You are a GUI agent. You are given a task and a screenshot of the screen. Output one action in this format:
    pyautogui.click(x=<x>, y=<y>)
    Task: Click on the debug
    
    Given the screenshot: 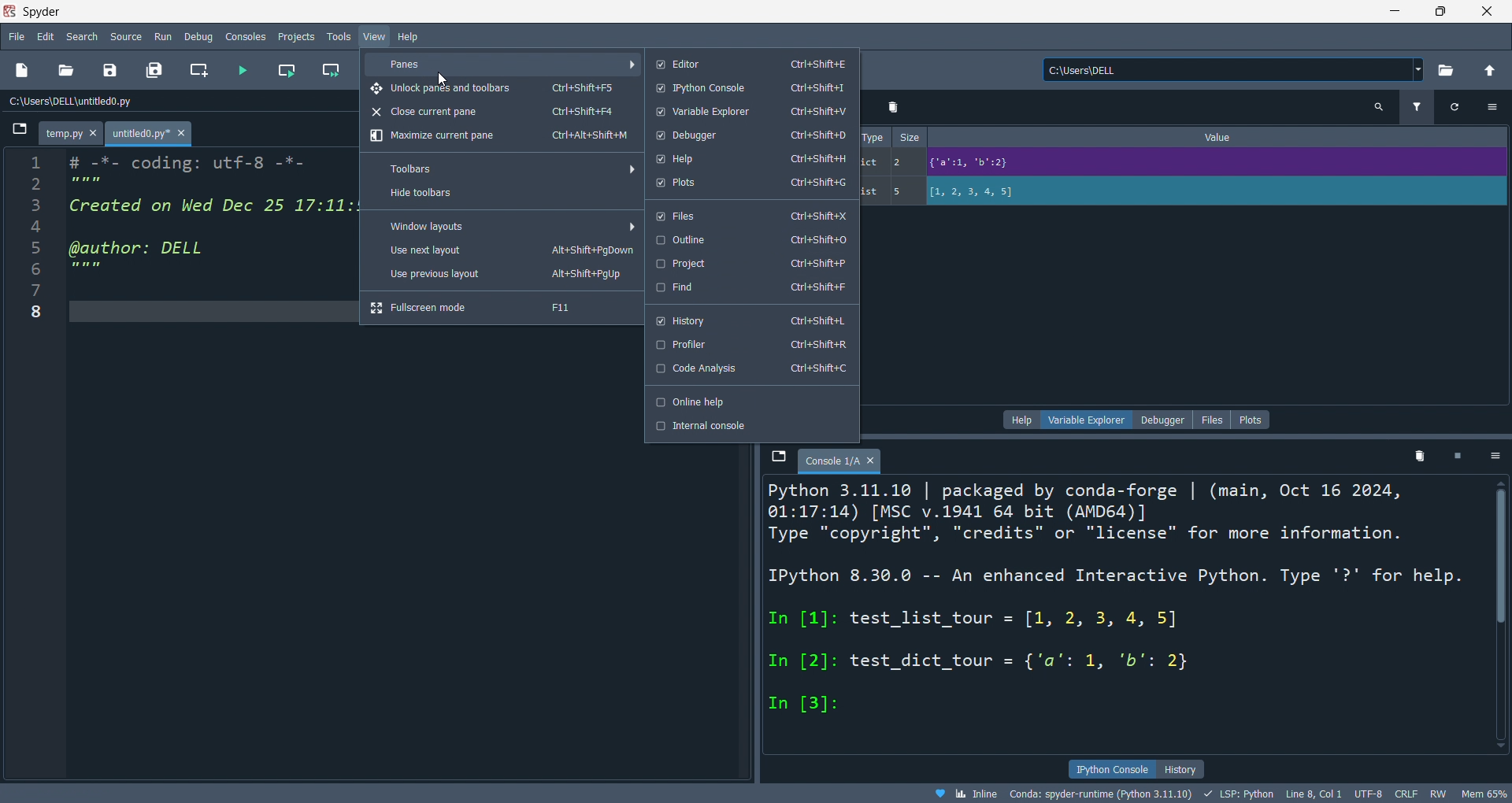 What is the action you would take?
    pyautogui.click(x=193, y=37)
    